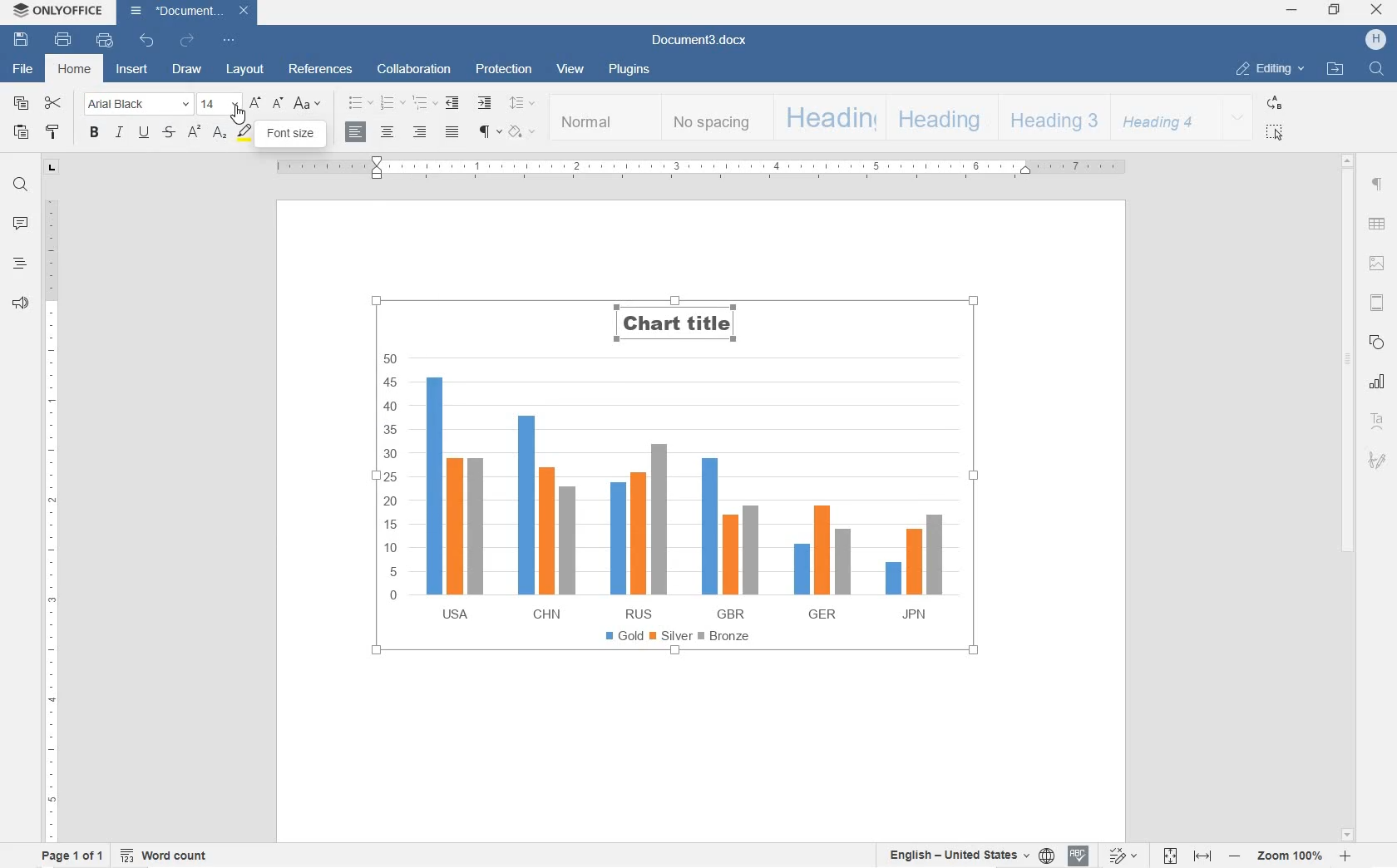 This screenshot has width=1397, height=868. Describe the element at coordinates (355, 134) in the screenshot. I see `ALIGN LEFT` at that location.